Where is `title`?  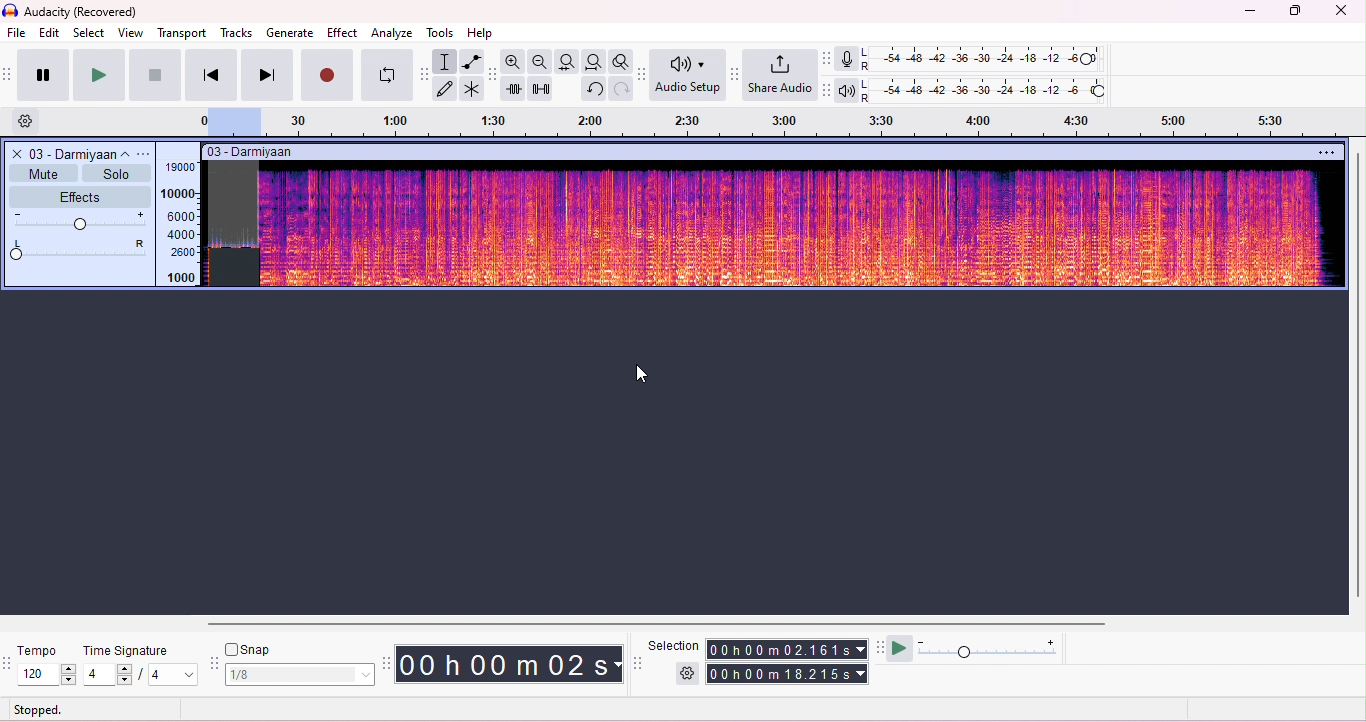
title is located at coordinates (73, 12).